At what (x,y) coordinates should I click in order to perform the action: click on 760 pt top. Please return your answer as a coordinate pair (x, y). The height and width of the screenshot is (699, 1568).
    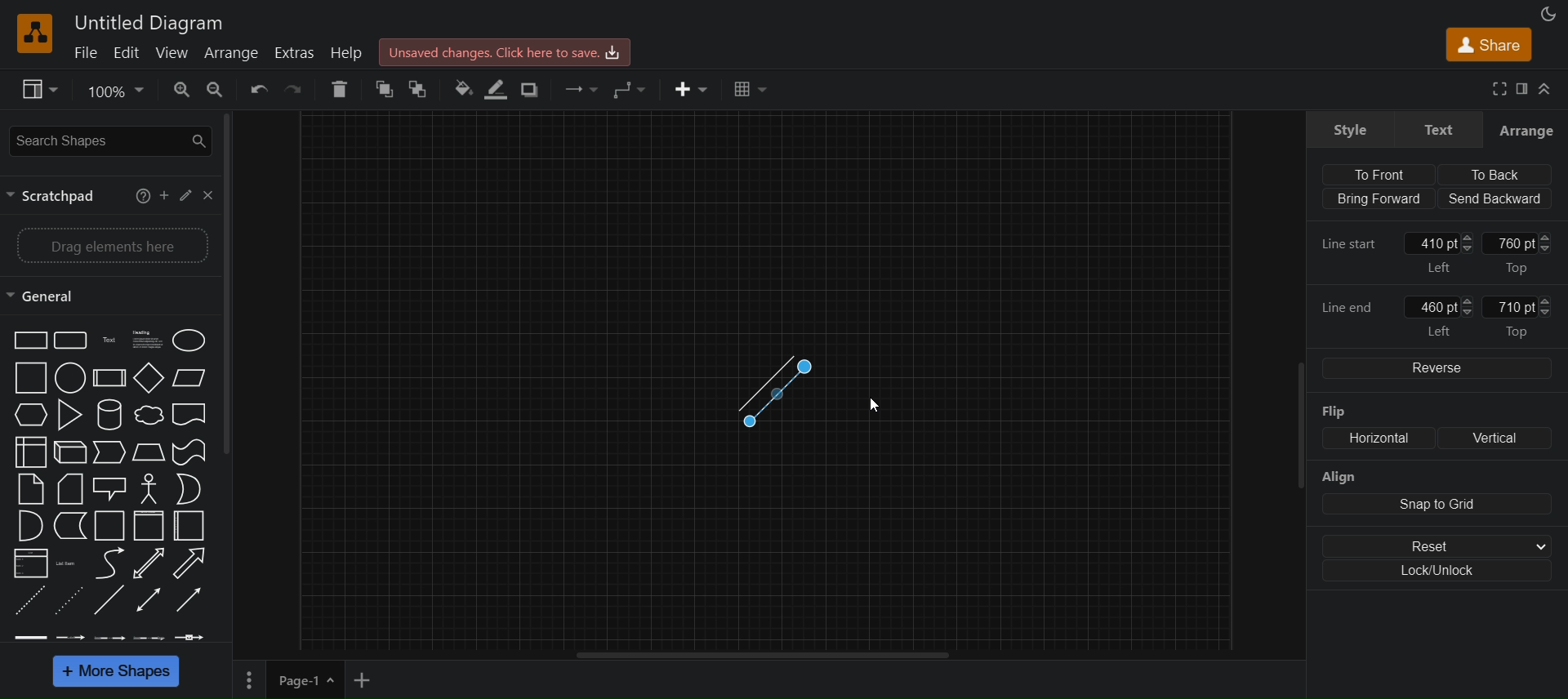
    Looking at the image, I should click on (1521, 252).